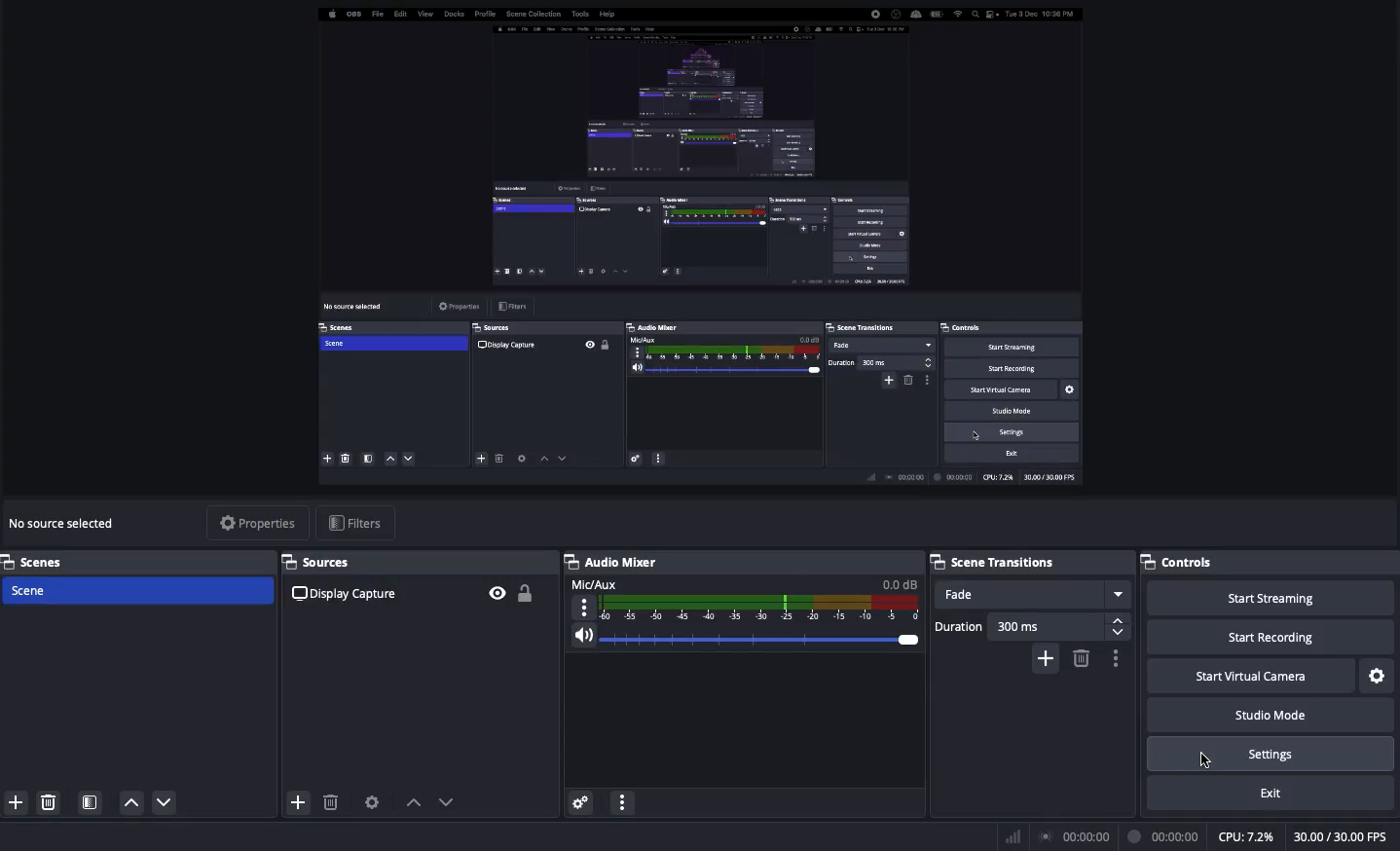 The image size is (1400, 851). I want to click on Down, so click(127, 802).